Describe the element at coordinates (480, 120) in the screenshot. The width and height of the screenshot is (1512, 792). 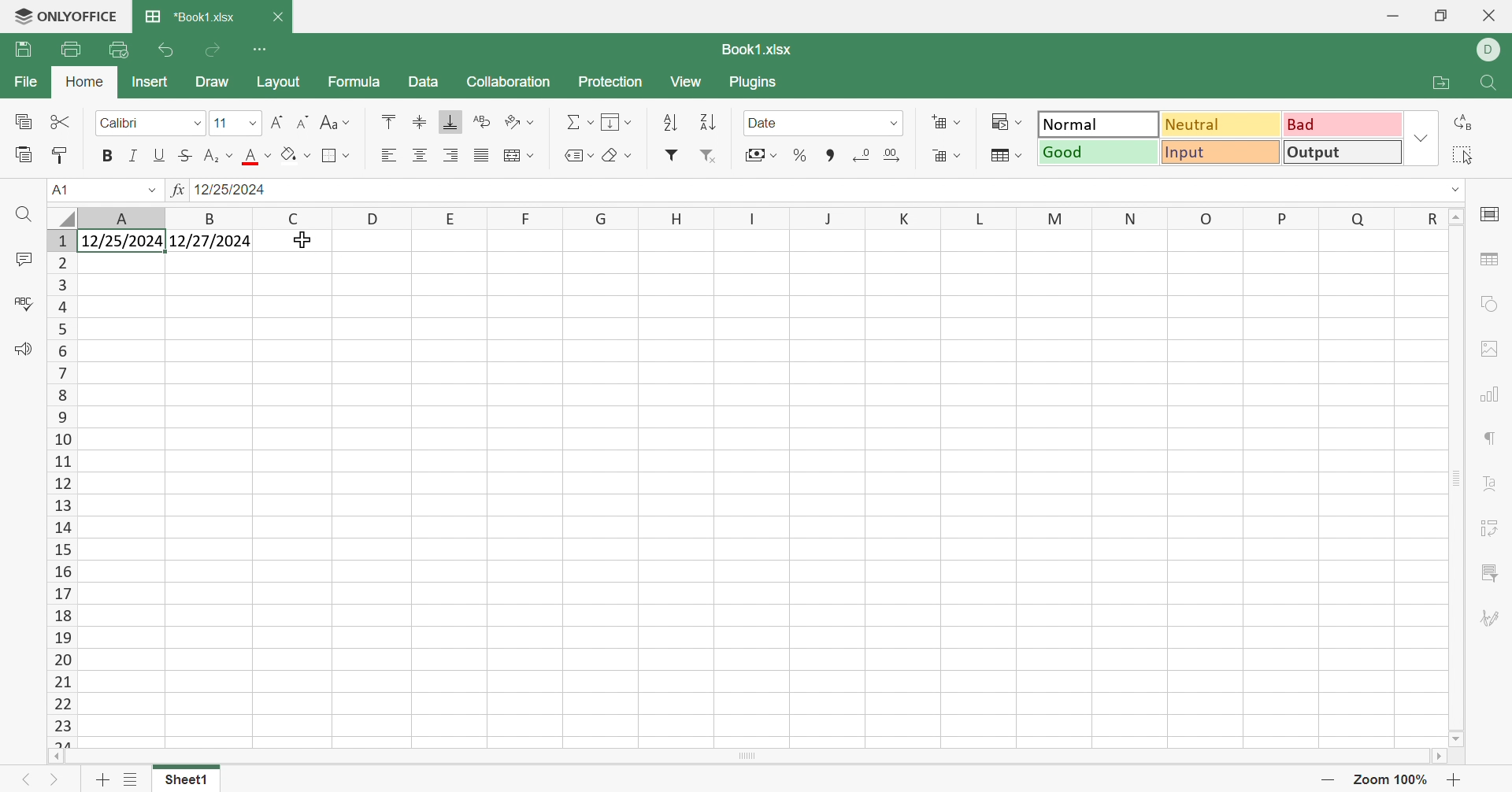
I see `Wrap Text` at that location.